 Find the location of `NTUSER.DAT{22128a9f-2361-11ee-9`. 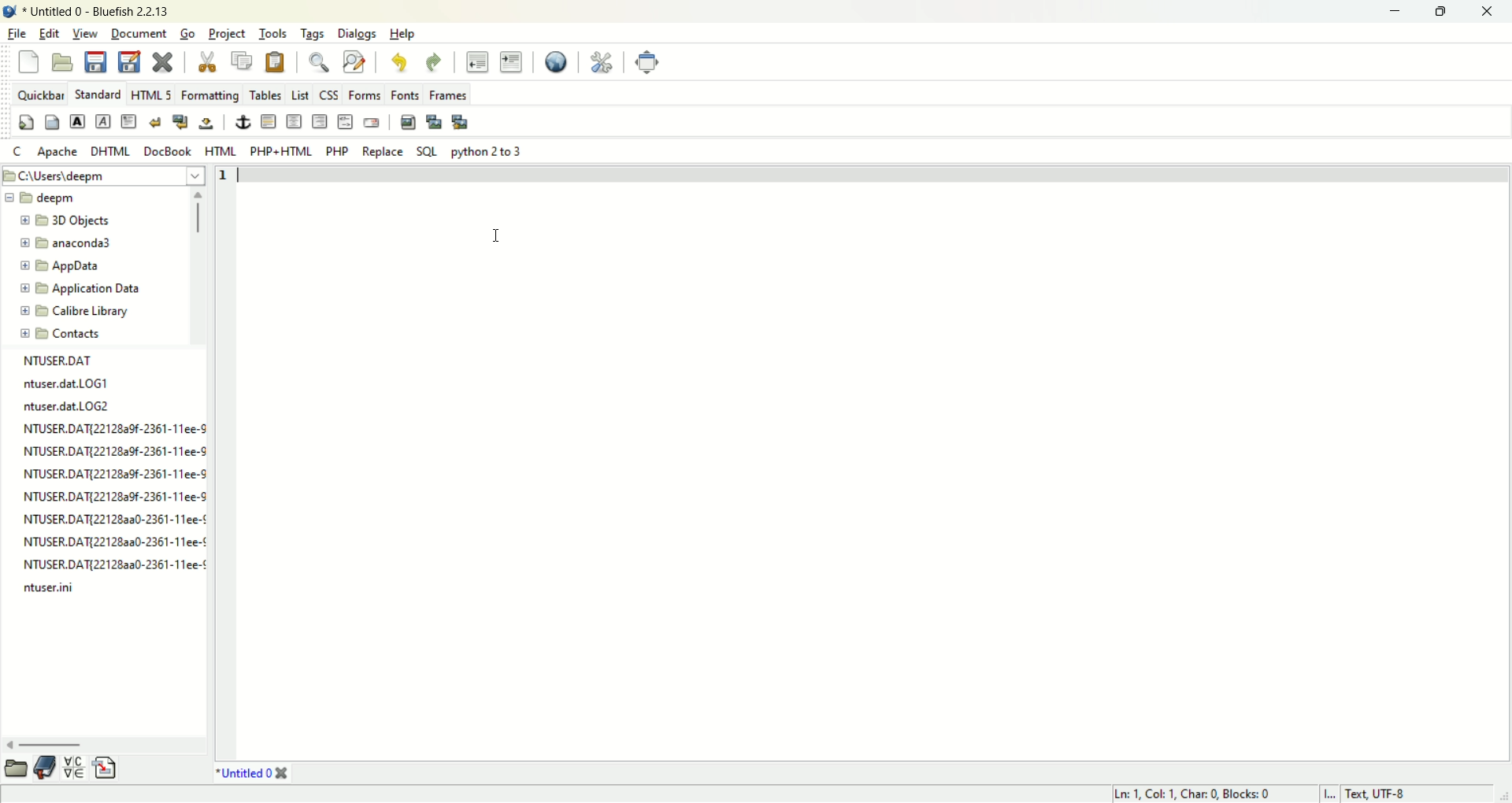

NTUSER.DAT{22128a9f-2361-11ee-9 is located at coordinates (118, 427).